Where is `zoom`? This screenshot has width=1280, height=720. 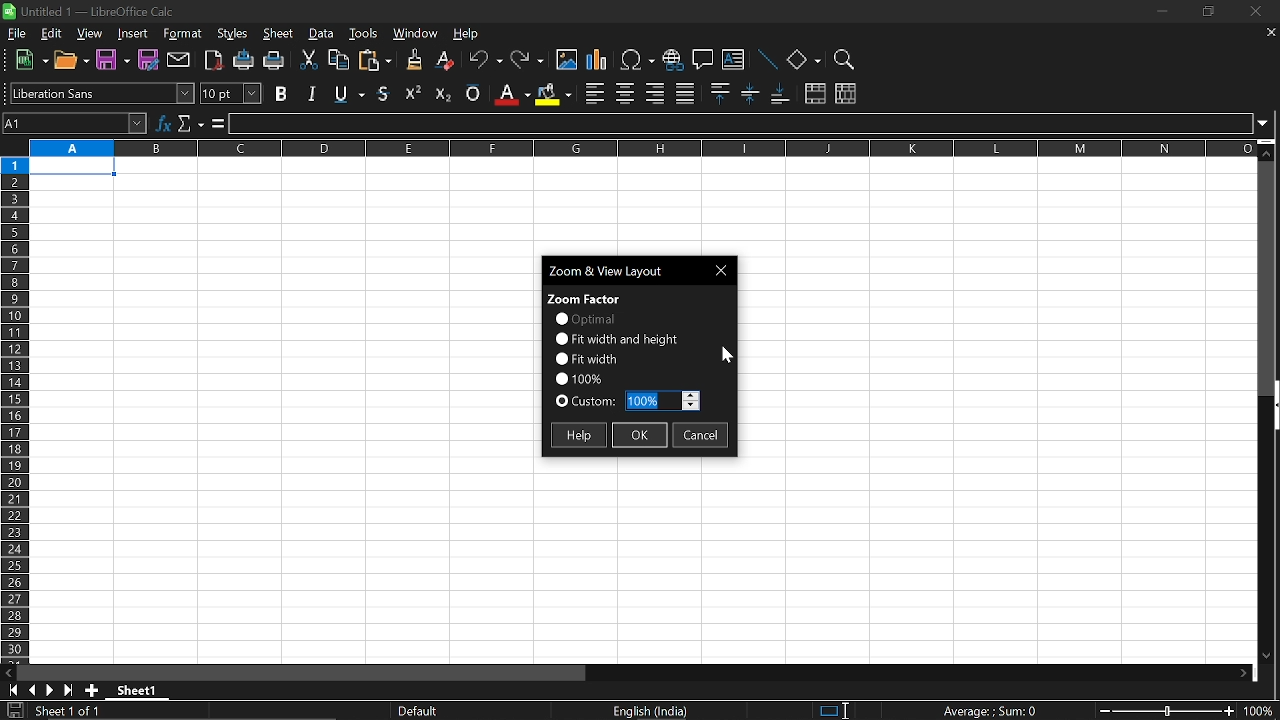 zoom is located at coordinates (842, 60).